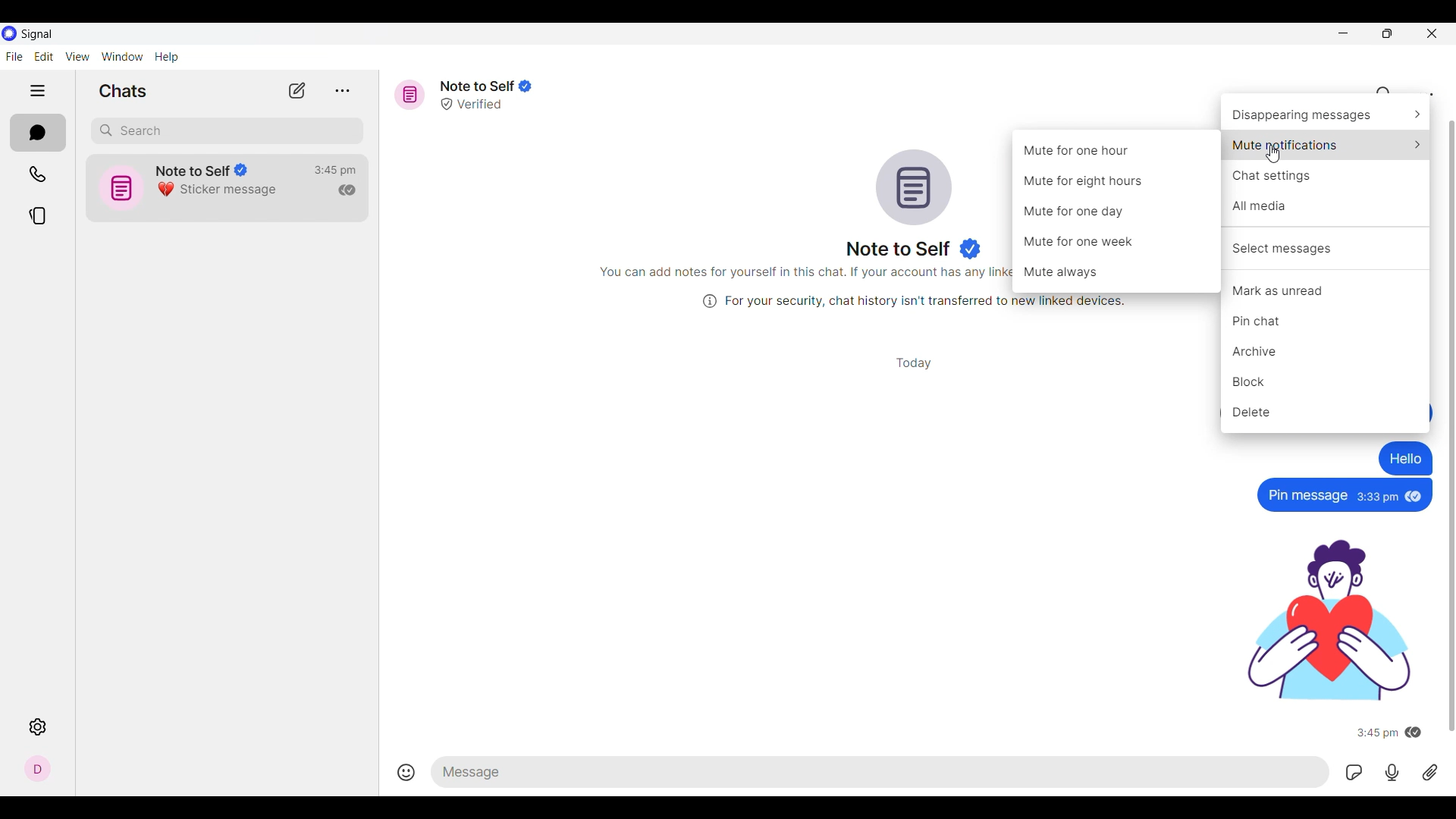  I want to click on Sticker message, so click(219, 190).